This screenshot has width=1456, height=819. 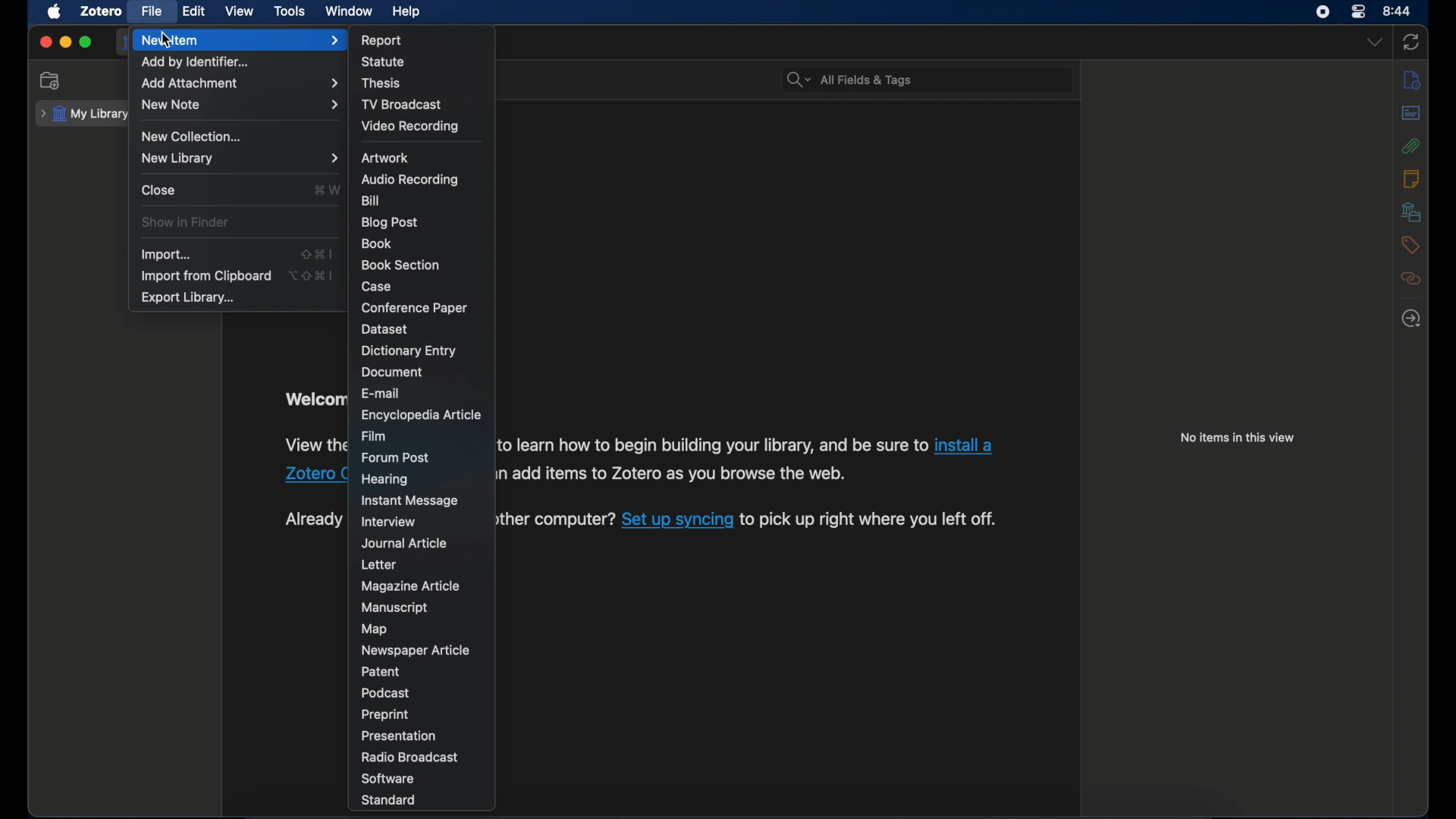 I want to click on add by identifier, so click(x=199, y=62).